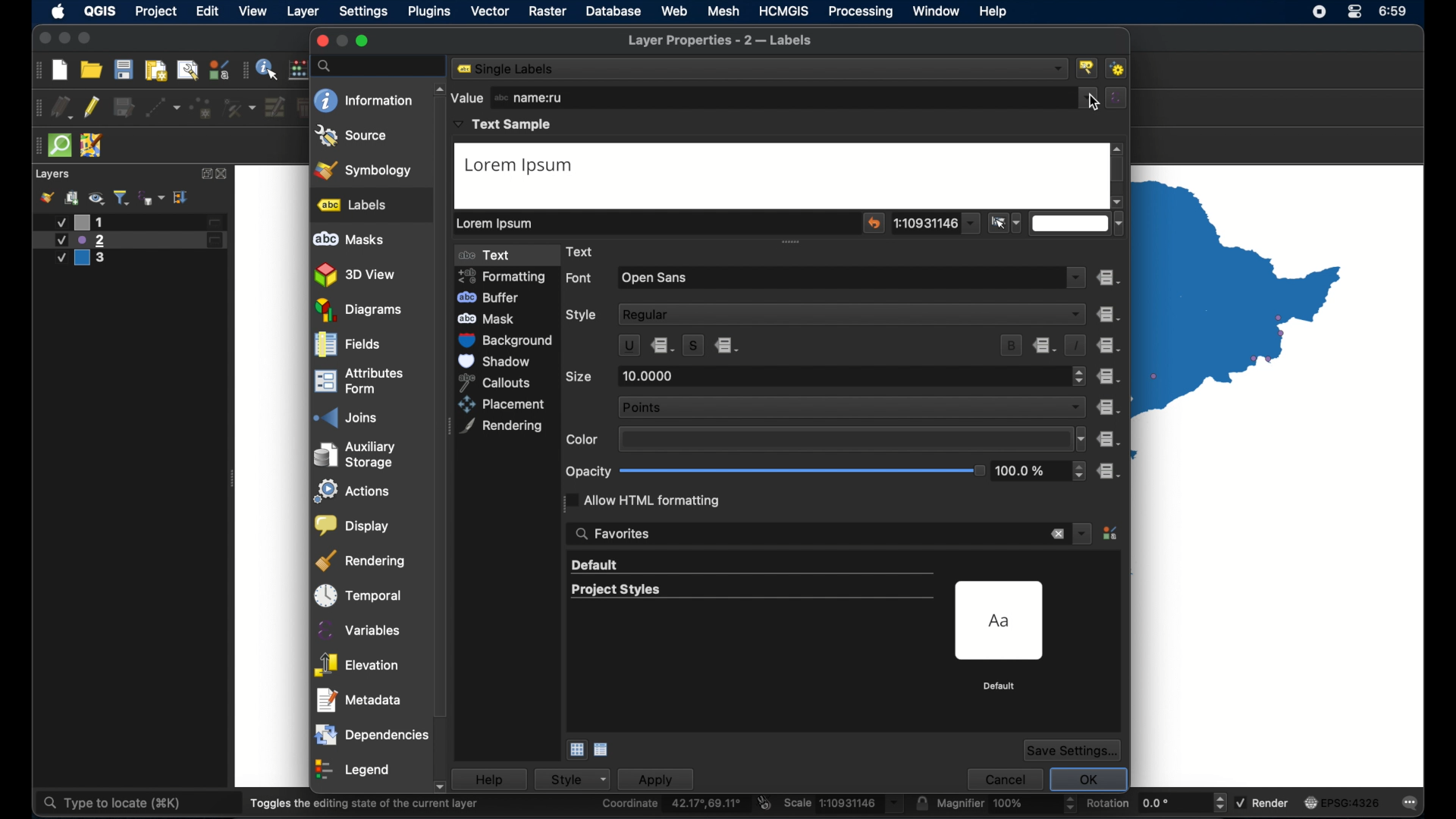  I want to click on filter legend by expression, so click(152, 198).